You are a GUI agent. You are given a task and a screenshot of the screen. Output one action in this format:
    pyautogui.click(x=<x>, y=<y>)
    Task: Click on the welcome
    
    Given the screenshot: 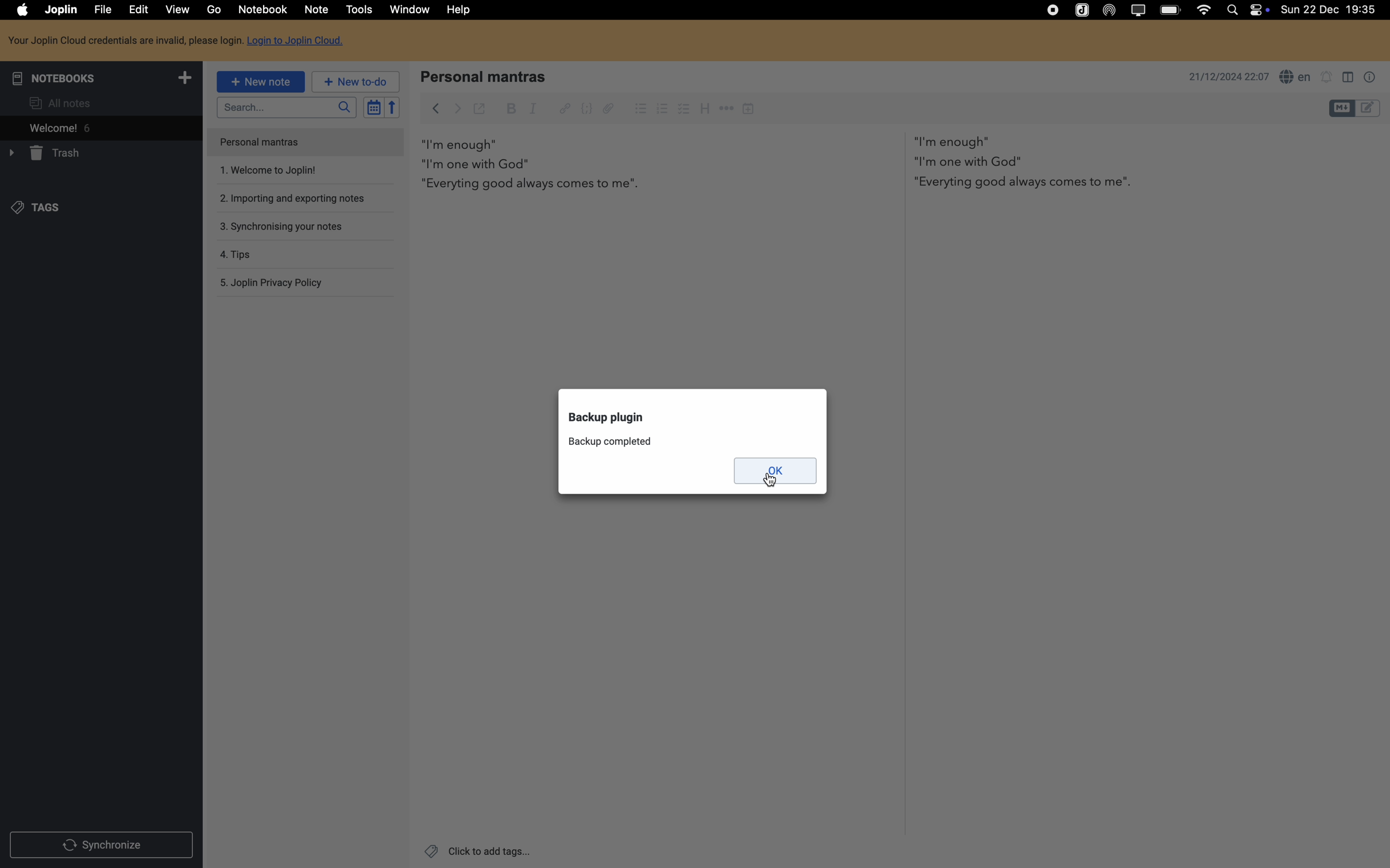 What is the action you would take?
    pyautogui.click(x=99, y=129)
    